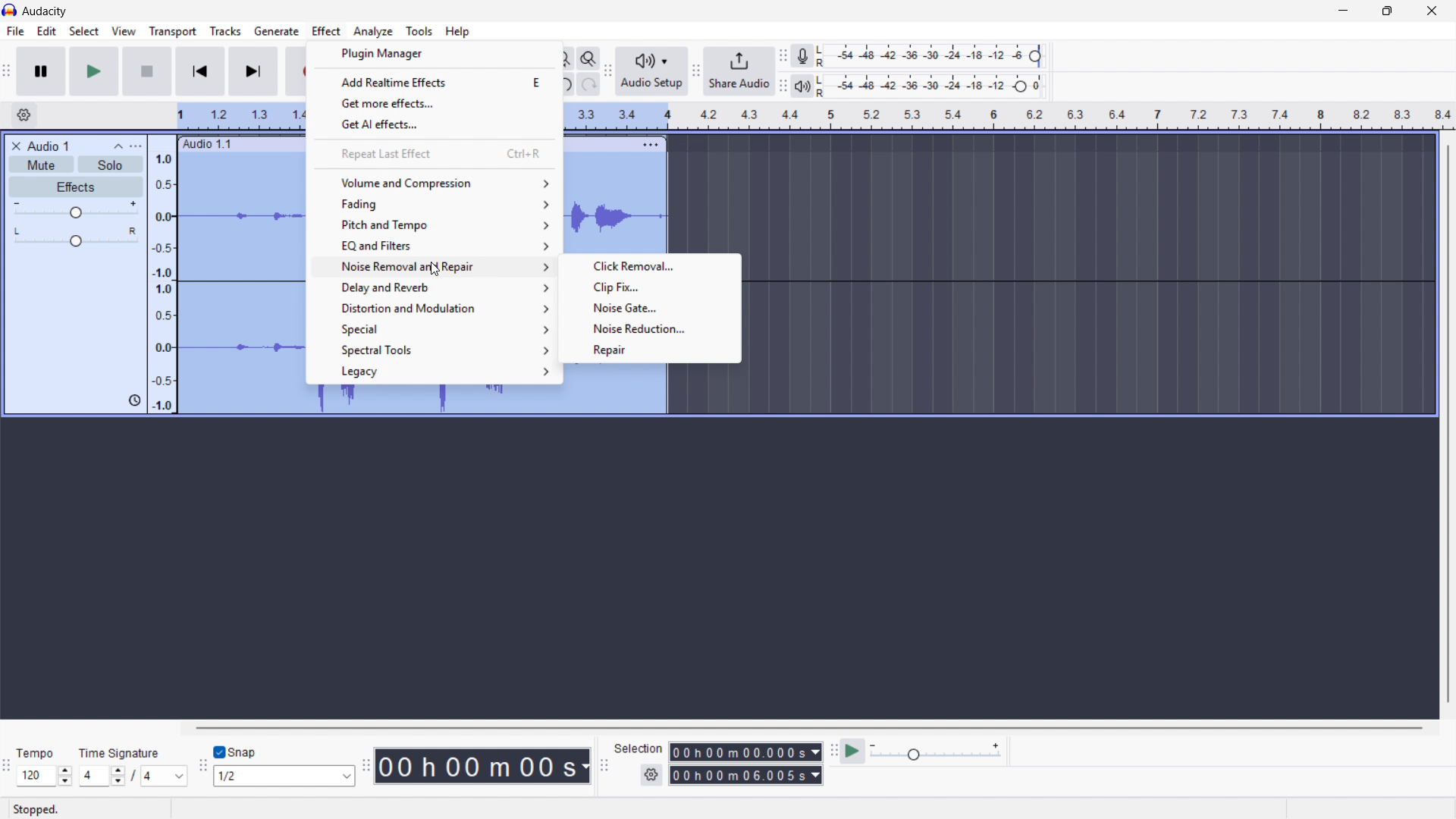  I want to click on file , so click(14, 31).